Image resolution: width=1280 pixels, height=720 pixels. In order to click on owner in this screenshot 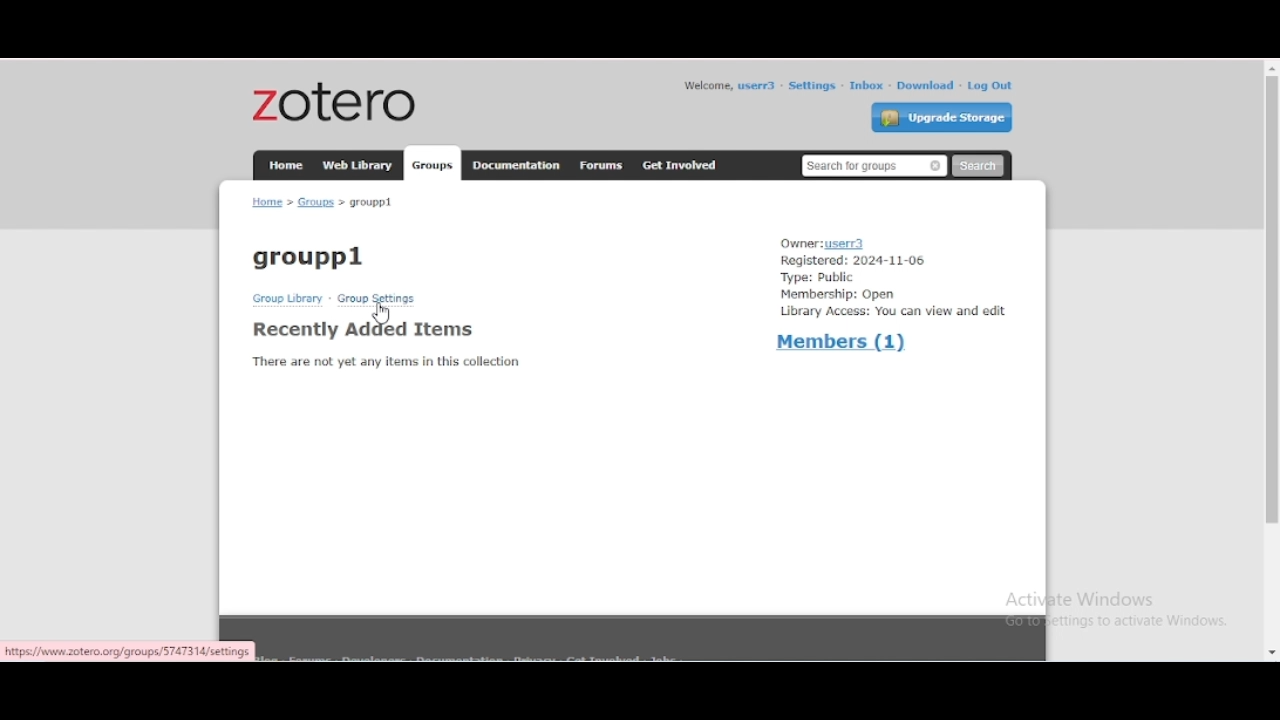, I will do `click(826, 243)`.